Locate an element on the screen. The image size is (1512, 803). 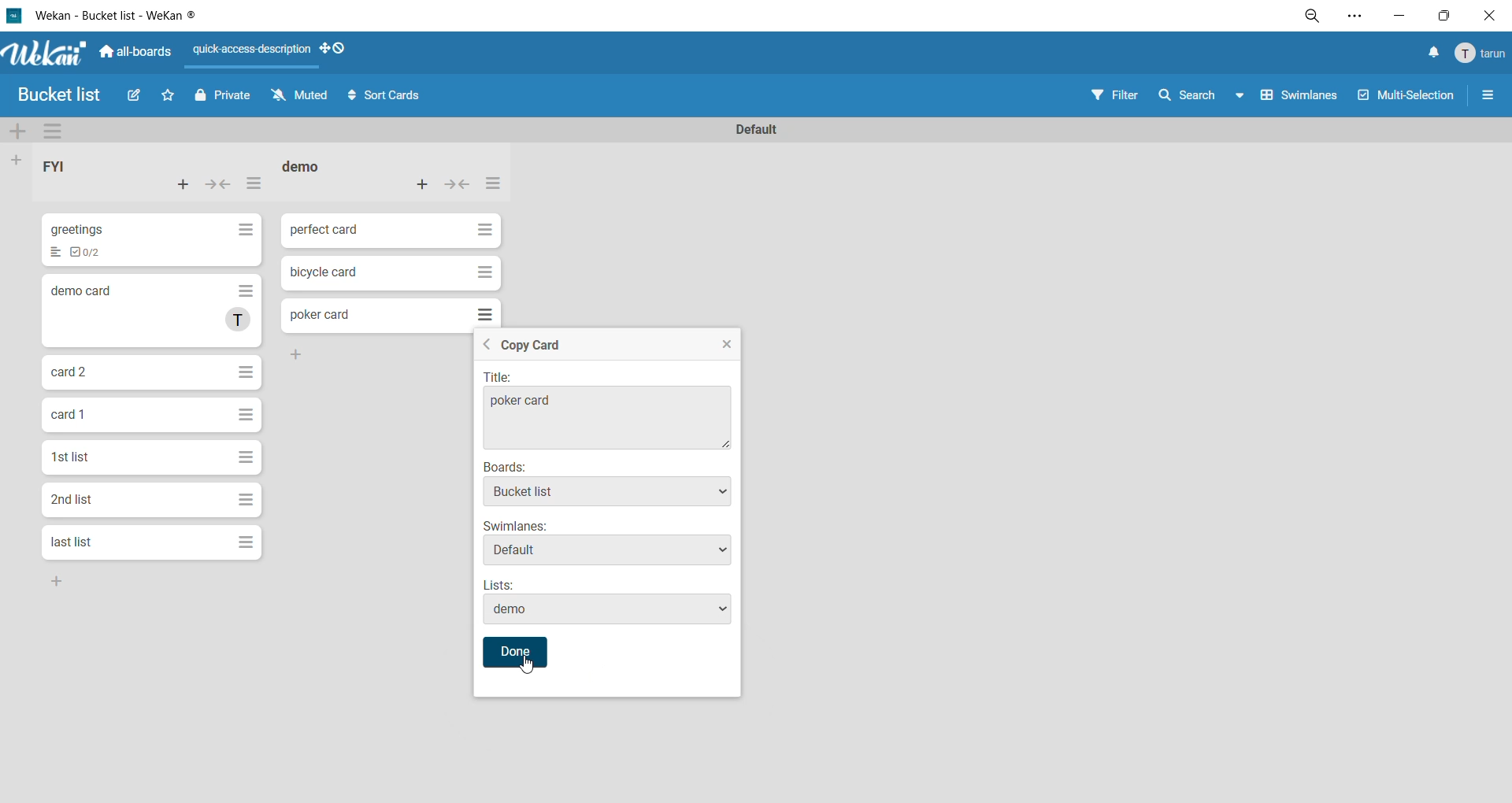
T is located at coordinates (236, 321).